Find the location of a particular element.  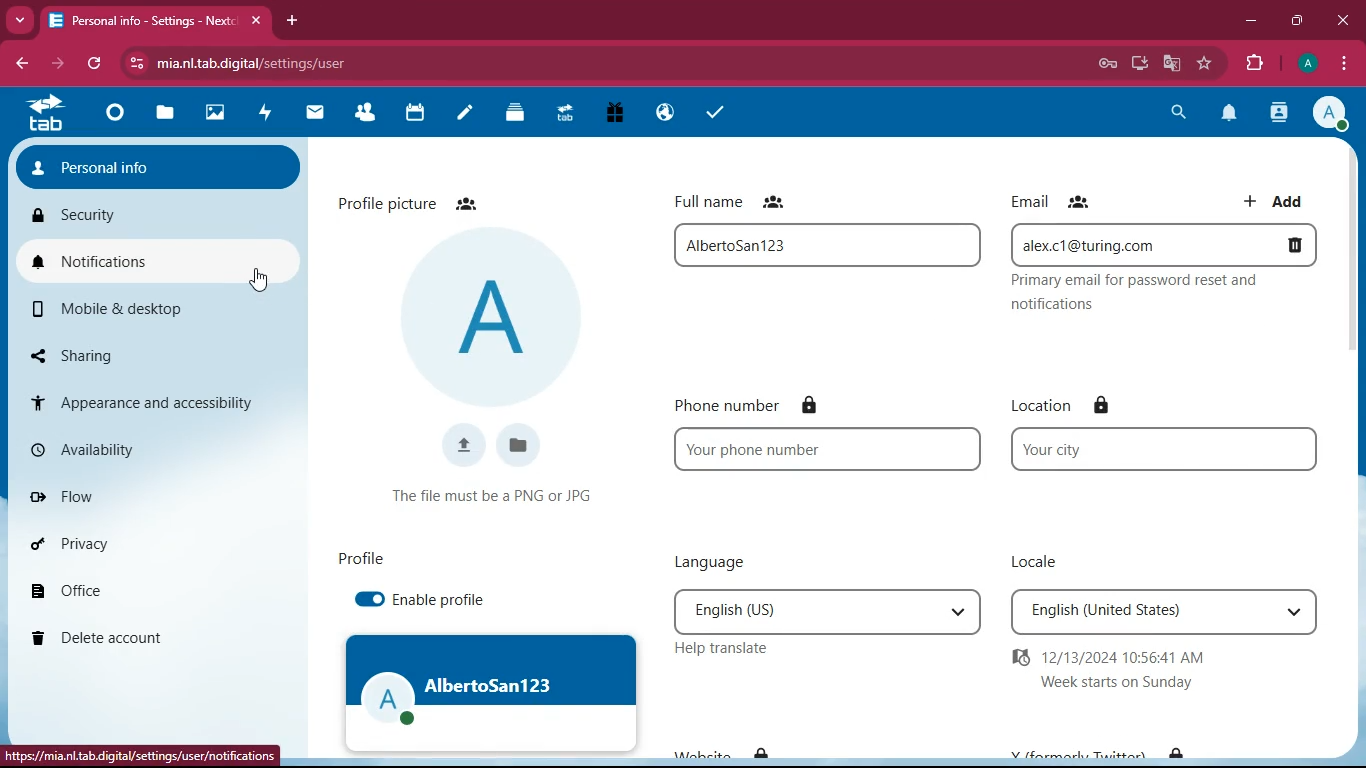

flow is located at coordinates (152, 494).